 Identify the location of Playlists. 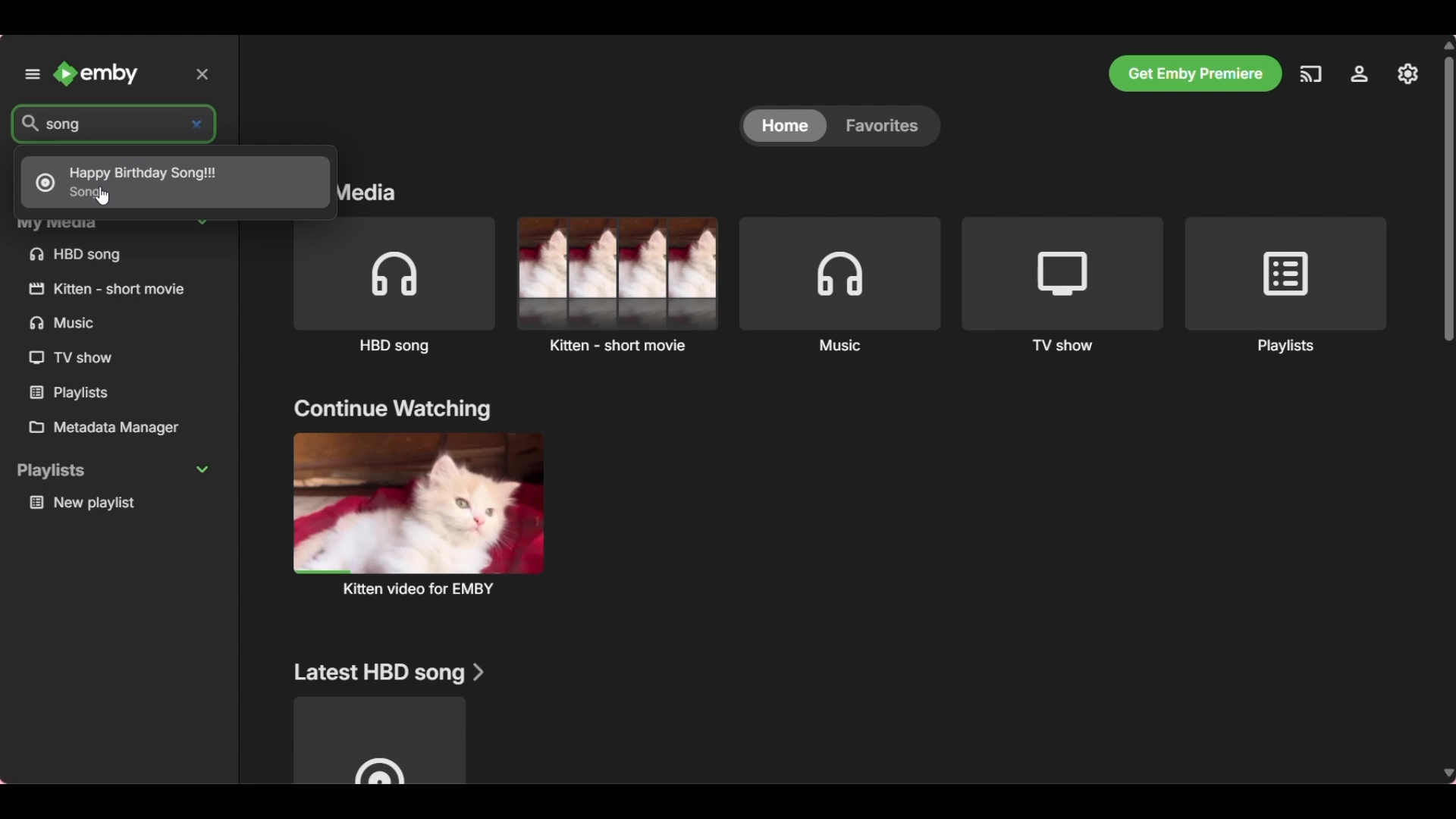
(1285, 286).